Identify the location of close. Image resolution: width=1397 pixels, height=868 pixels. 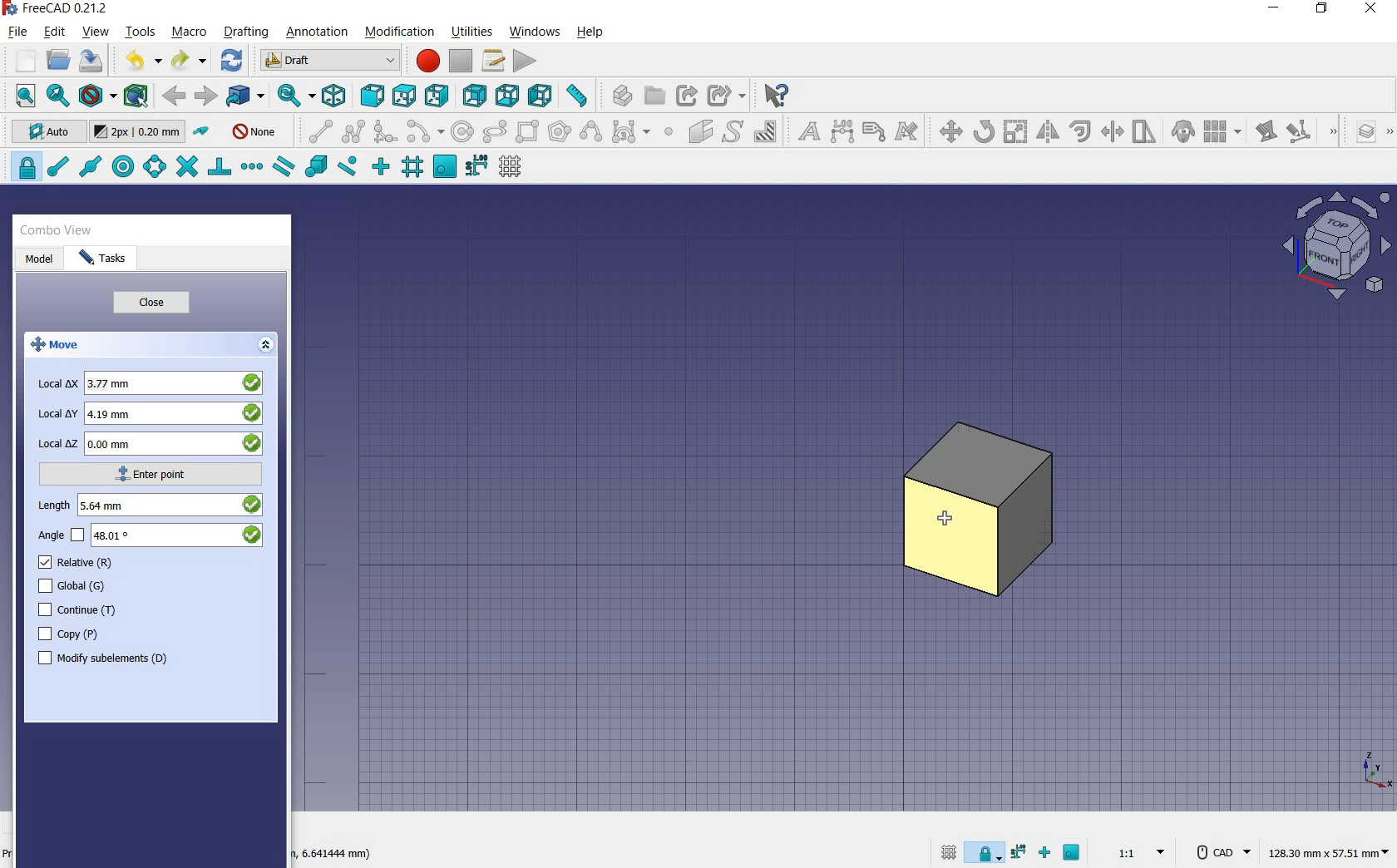
(151, 306).